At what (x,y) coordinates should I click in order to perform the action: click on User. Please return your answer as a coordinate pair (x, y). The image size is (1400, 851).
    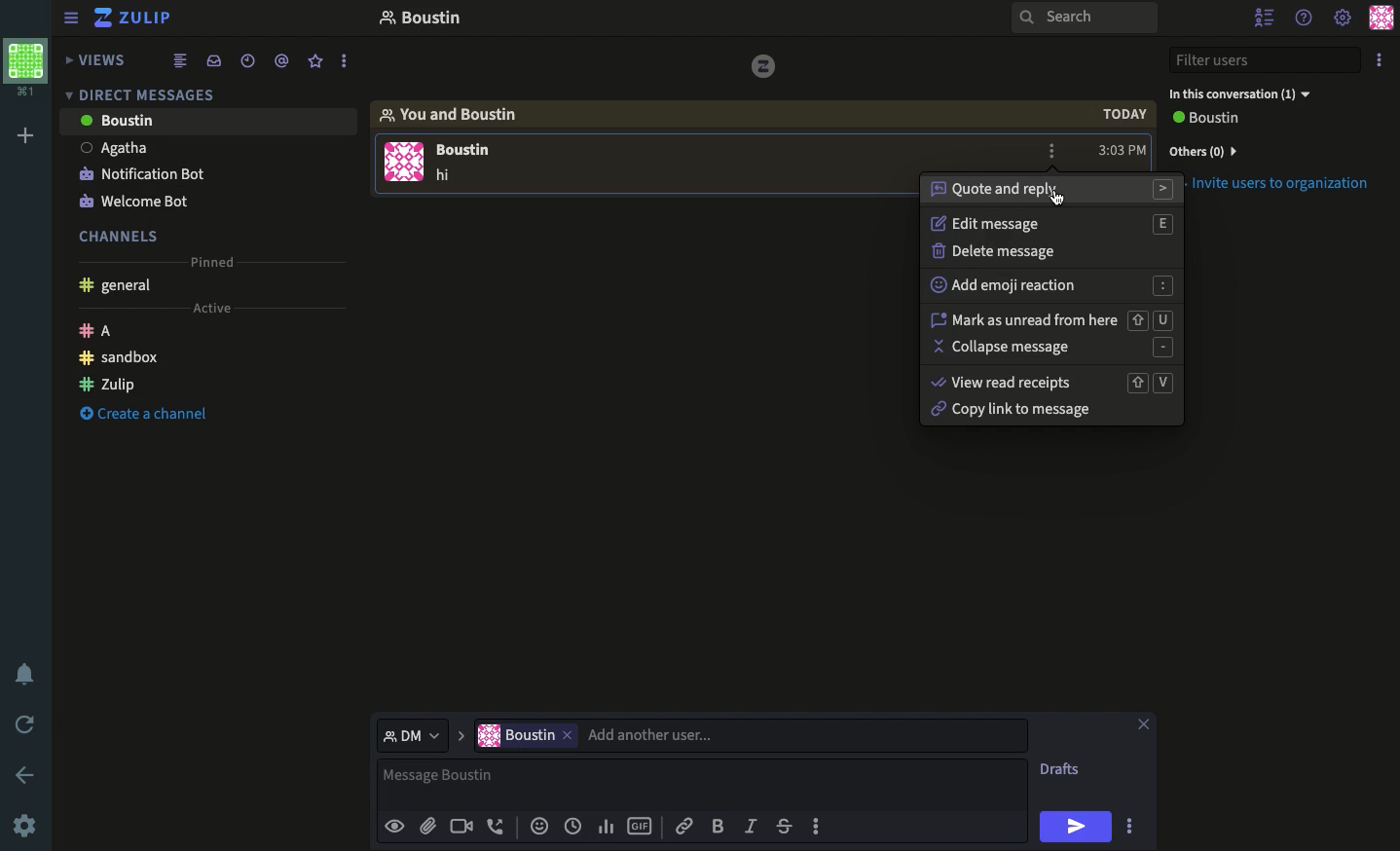
    Looking at the image, I should click on (208, 120).